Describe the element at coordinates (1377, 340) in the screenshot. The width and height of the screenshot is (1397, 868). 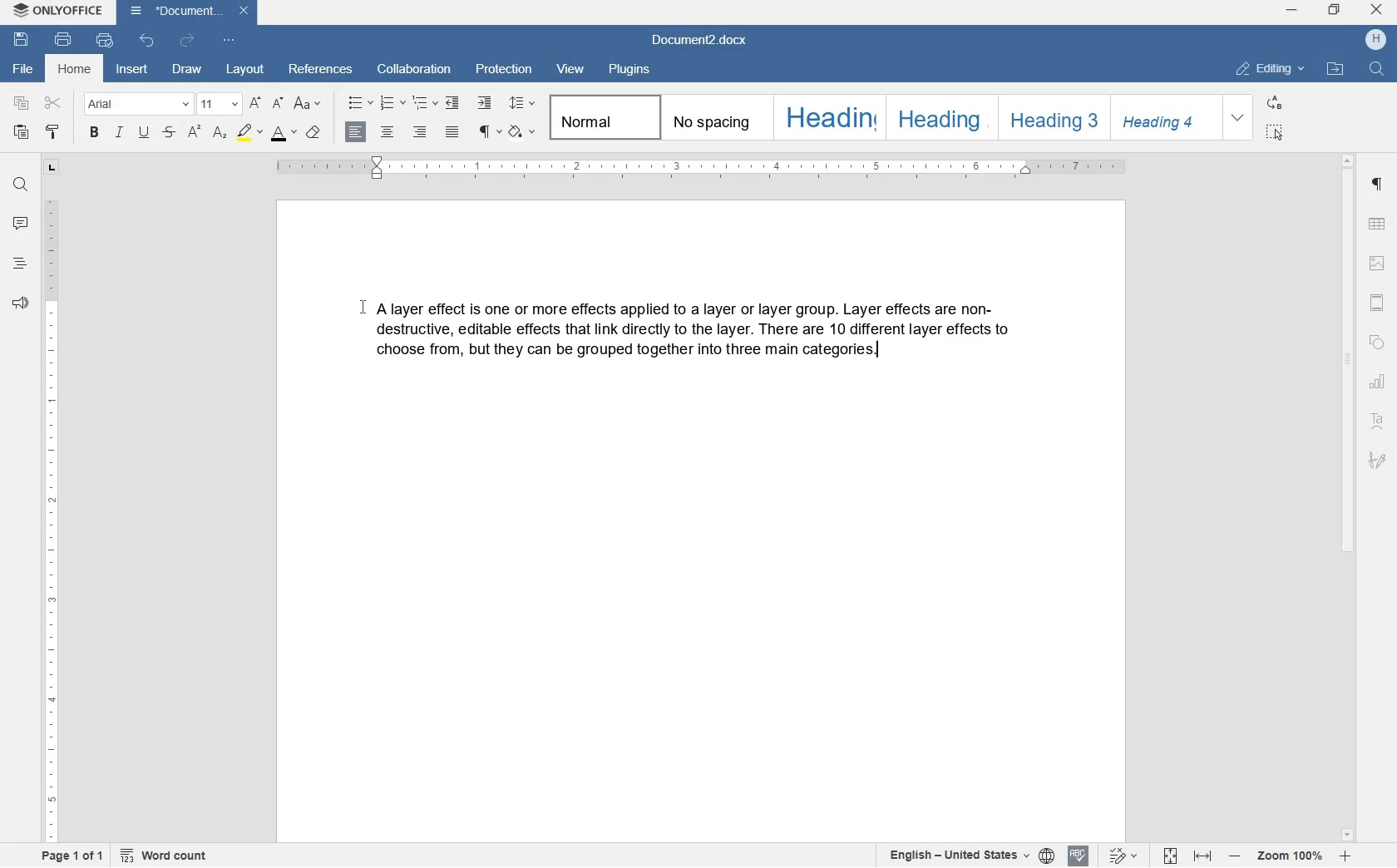
I see `shapes` at that location.